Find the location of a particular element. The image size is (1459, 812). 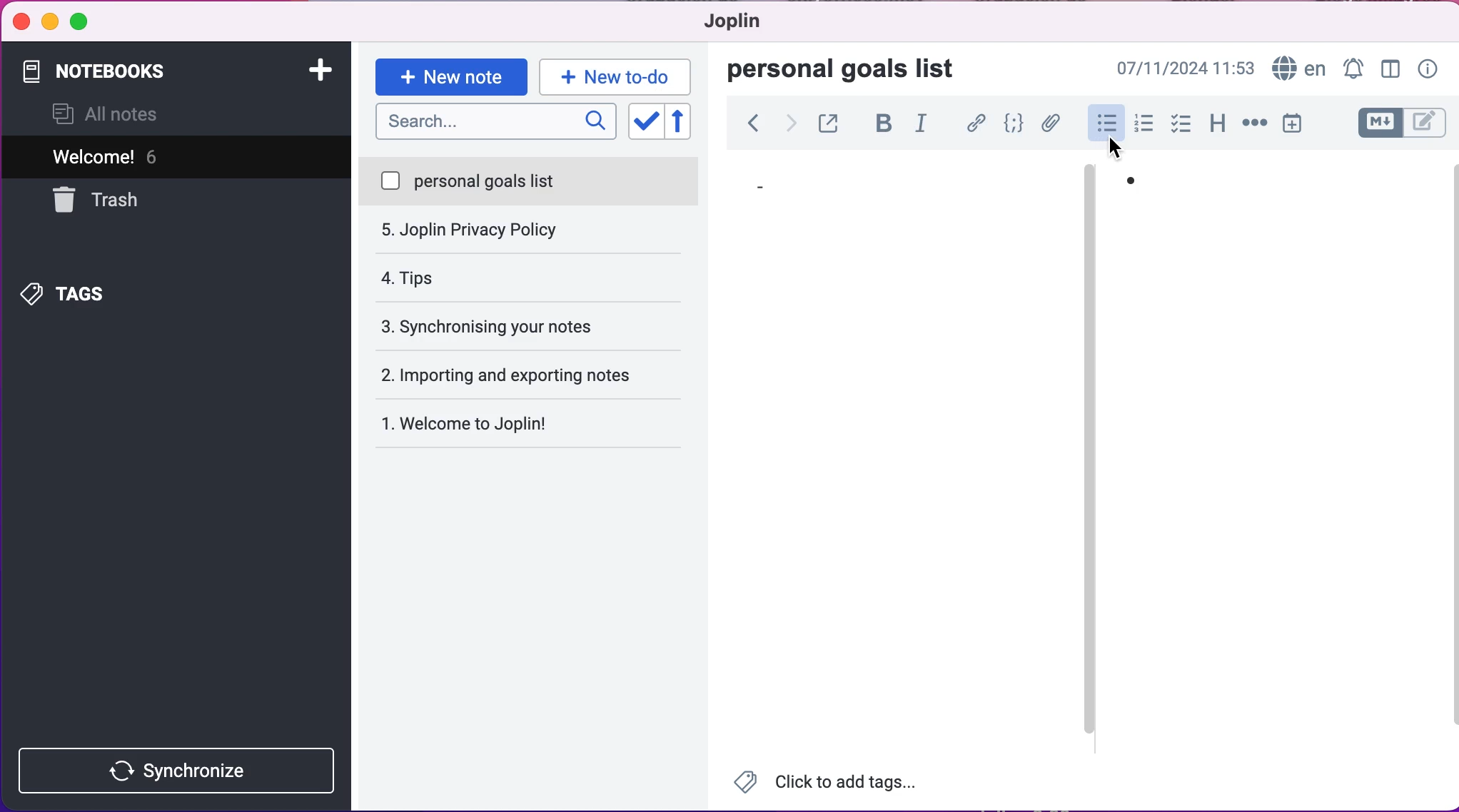

welcome! 5 is located at coordinates (158, 156).